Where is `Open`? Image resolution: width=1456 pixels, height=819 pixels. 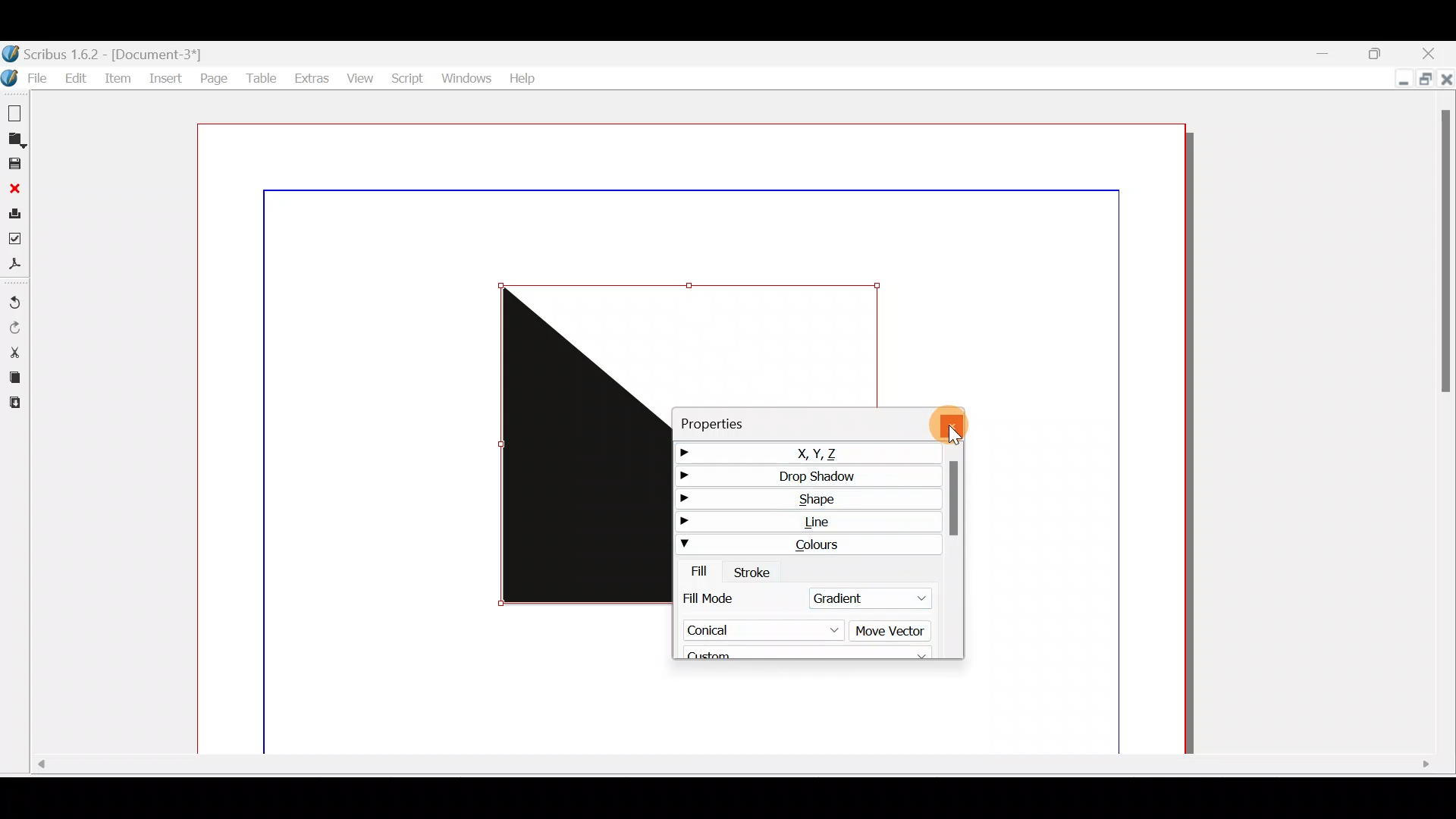 Open is located at coordinates (17, 139).